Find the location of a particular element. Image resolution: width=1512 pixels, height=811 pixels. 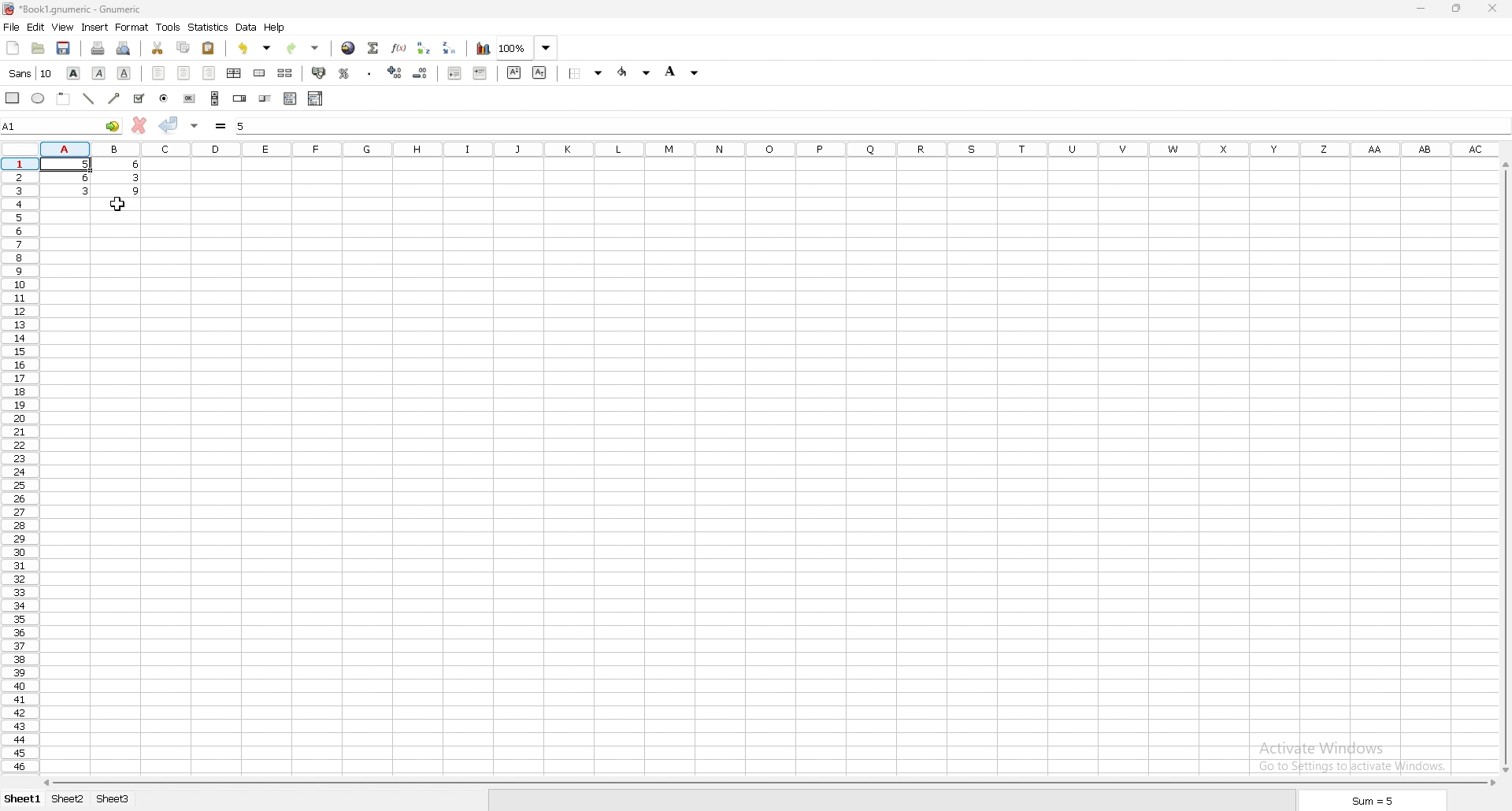

file name is located at coordinates (78, 9).